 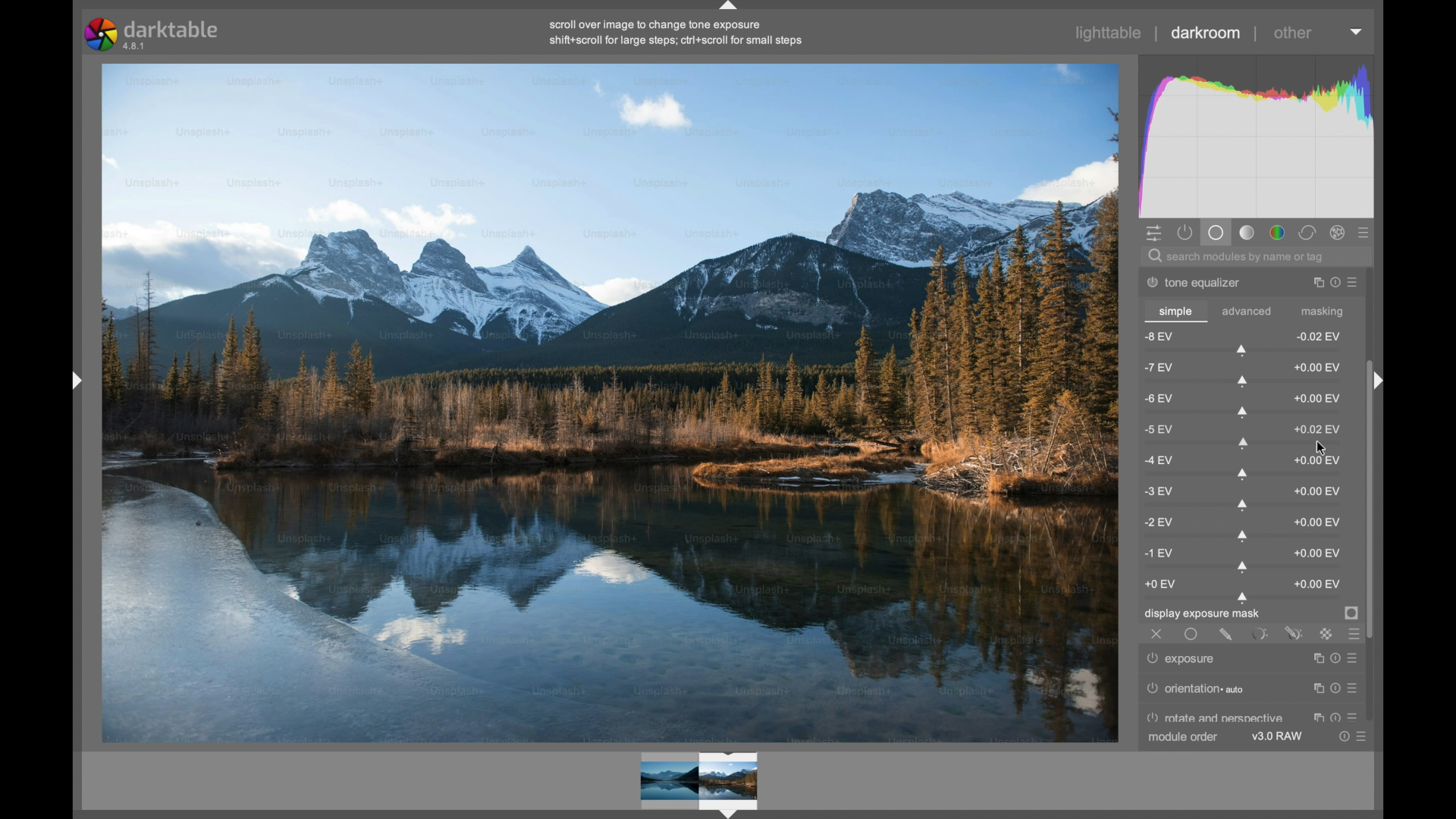 What do you see at coordinates (1255, 716) in the screenshot?
I see `perspective` at bounding box center [1255, 716].